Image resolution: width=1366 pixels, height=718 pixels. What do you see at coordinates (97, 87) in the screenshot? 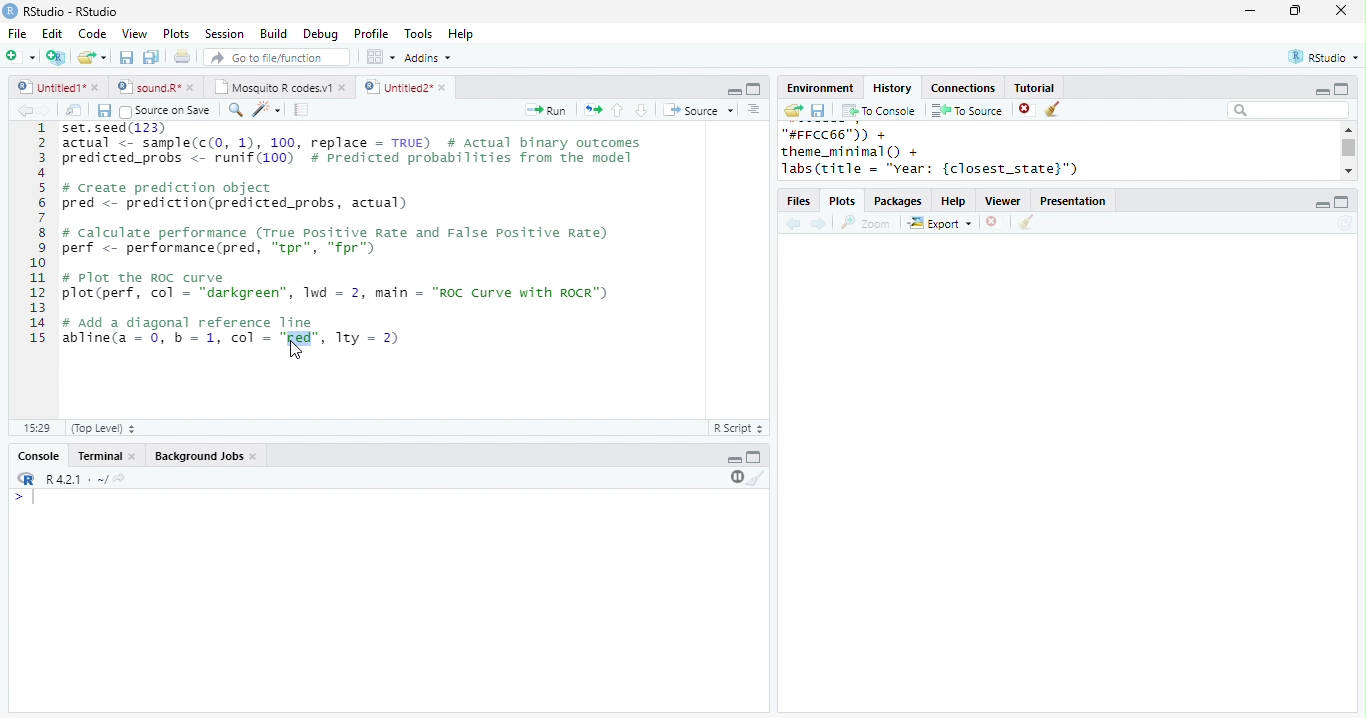
I see `close` at bounding box center [97, 87].